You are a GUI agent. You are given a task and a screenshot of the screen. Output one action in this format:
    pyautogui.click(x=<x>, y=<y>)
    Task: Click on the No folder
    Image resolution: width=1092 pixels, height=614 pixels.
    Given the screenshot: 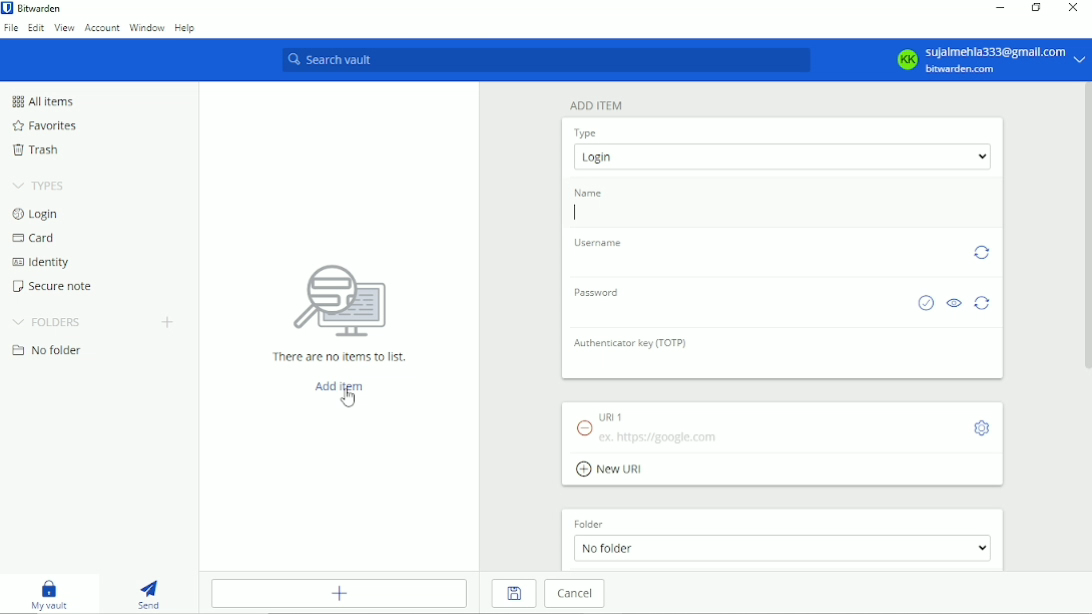 What is the action you would take?
    pyautogui.click(x=47, y=350)
    